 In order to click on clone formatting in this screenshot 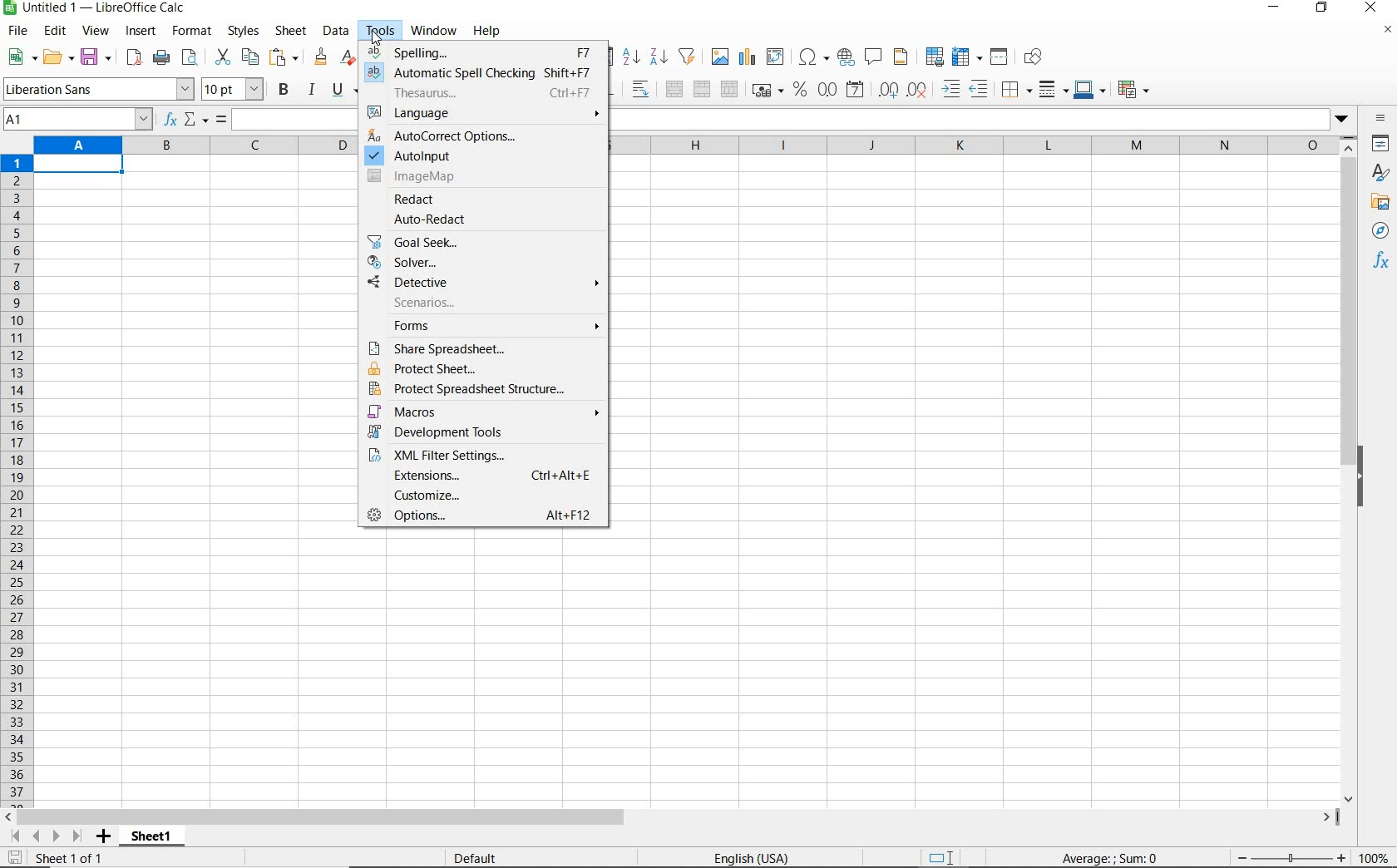, I will do `click(321, 57)`.